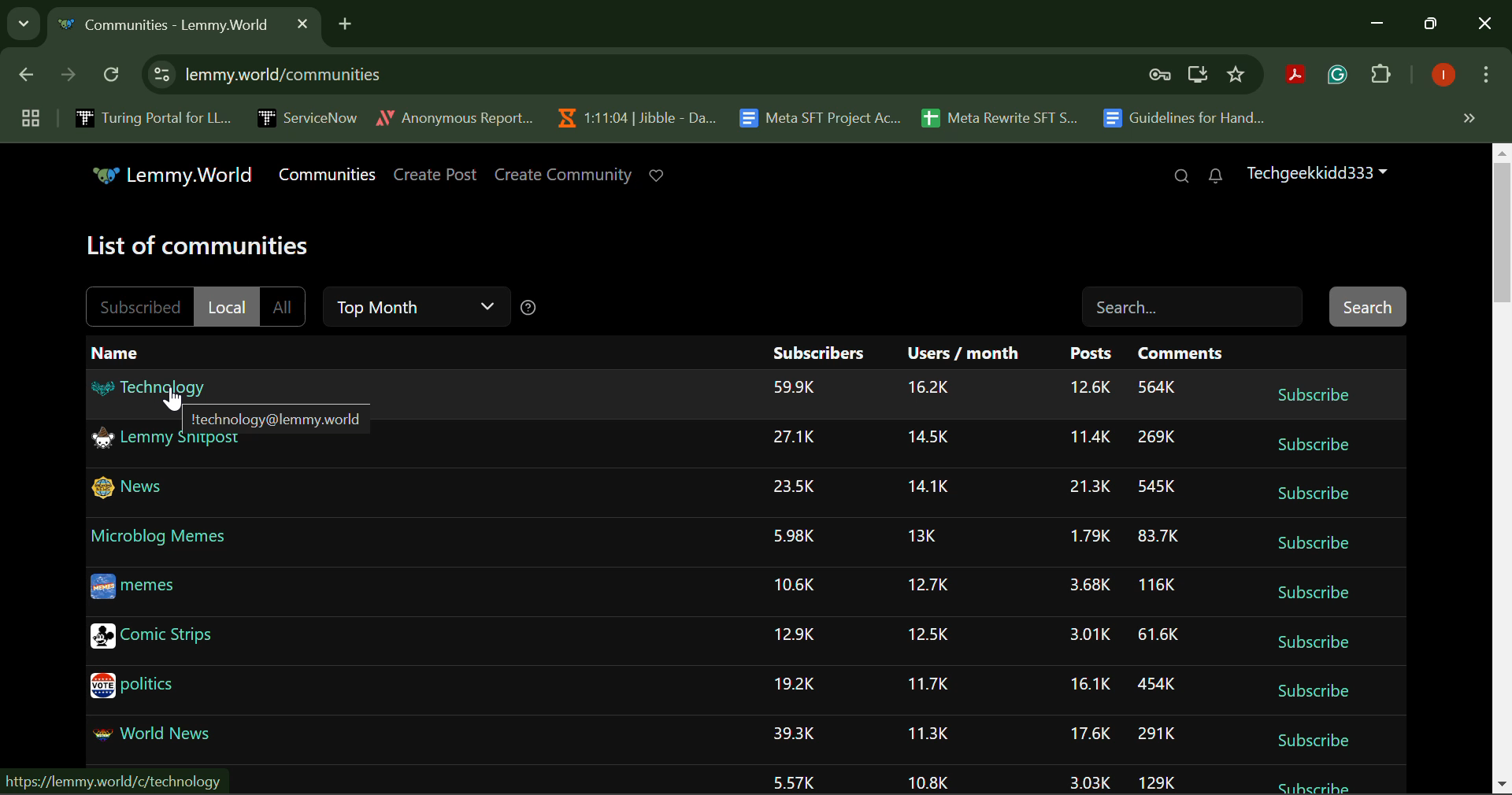  I want to click on ServiceNow, so click(306, 116).